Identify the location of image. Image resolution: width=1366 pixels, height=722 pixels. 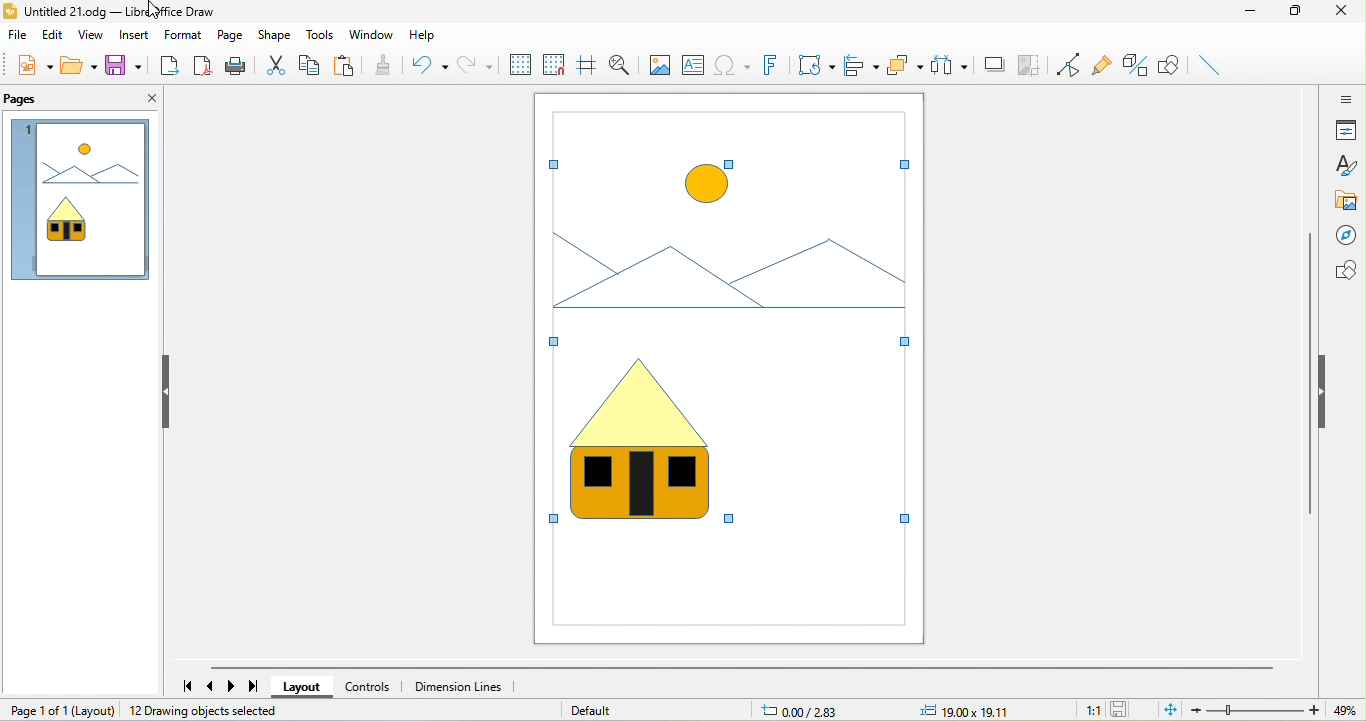
(660, 65).